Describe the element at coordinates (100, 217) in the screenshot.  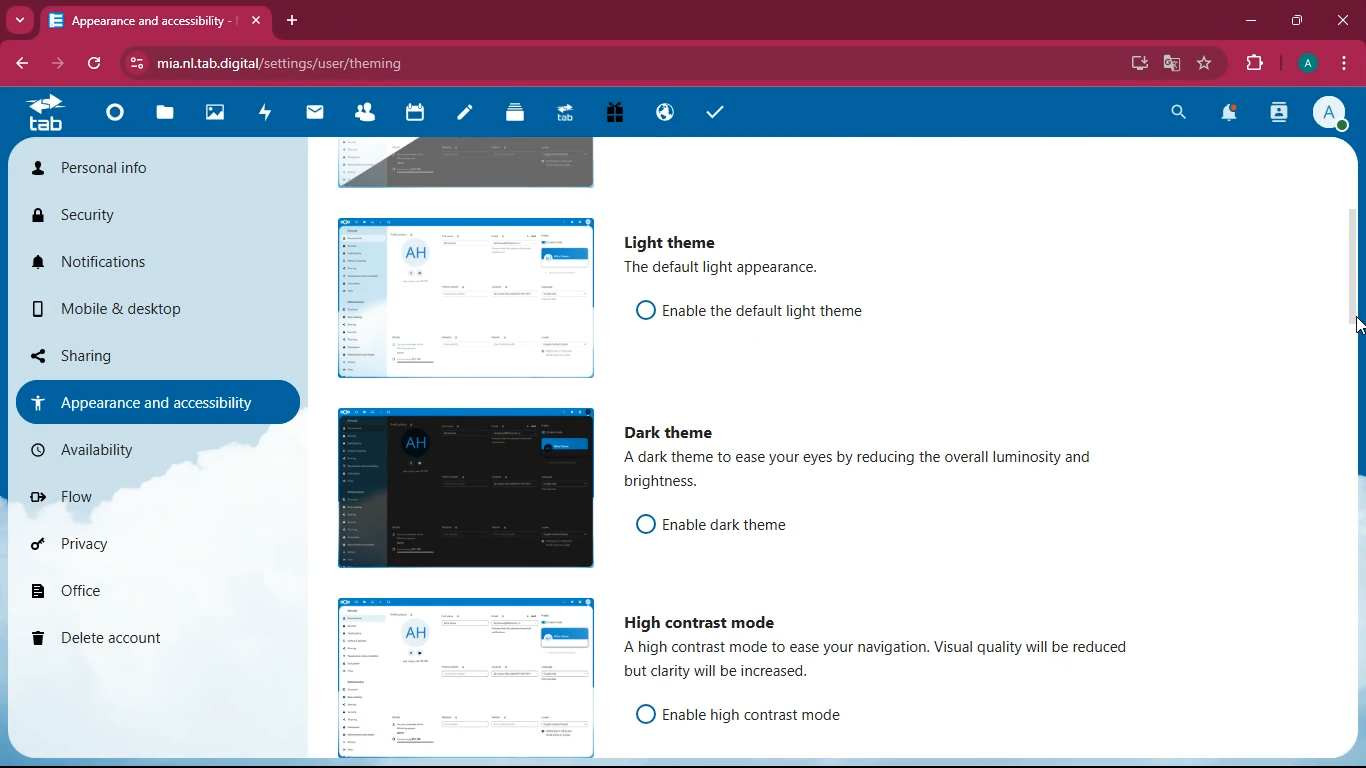
I see `security` at that location.